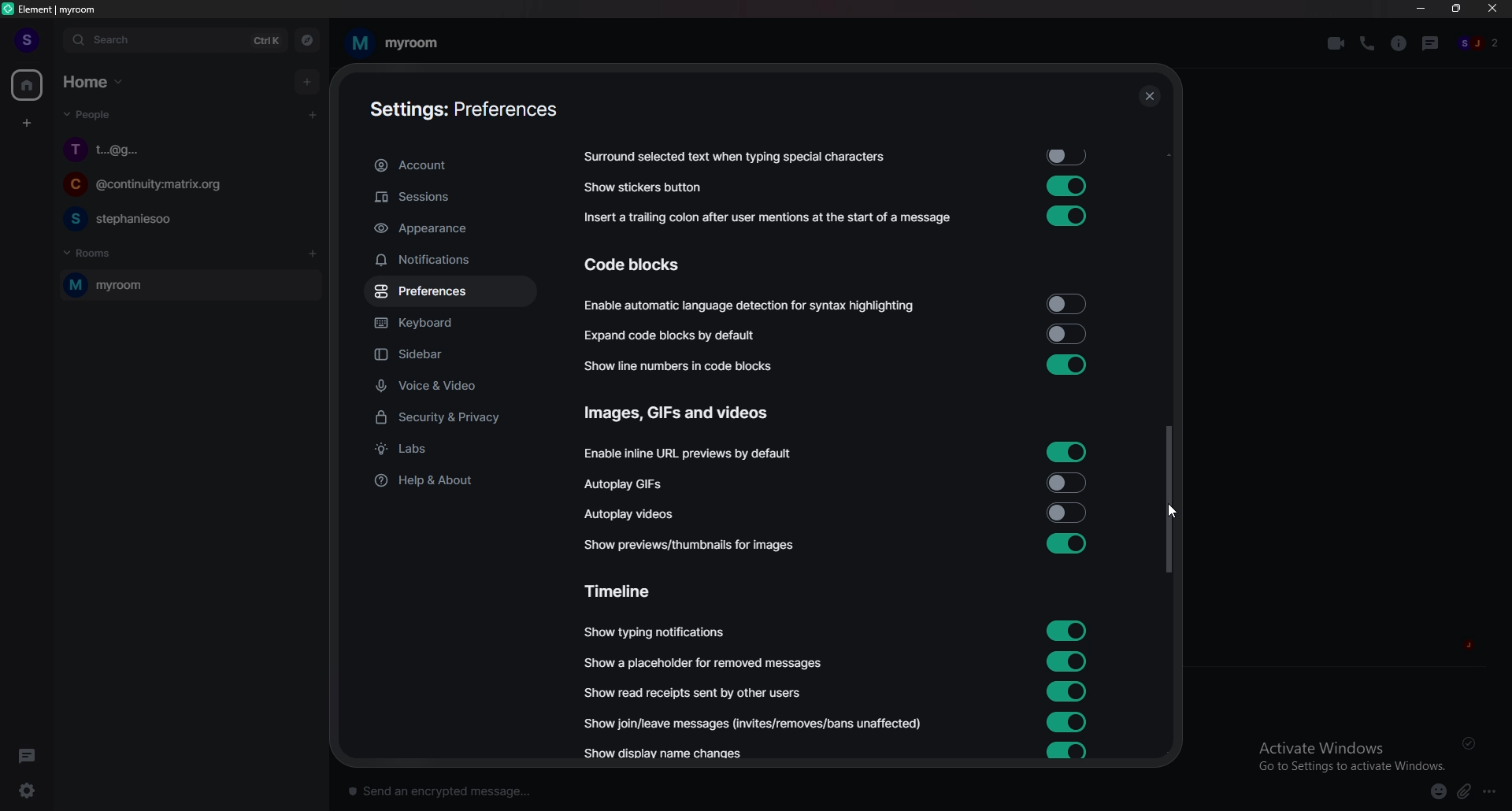 The width and height of the screenshot is (1512, 811). I want to click on toggle, so click(1068, 722).